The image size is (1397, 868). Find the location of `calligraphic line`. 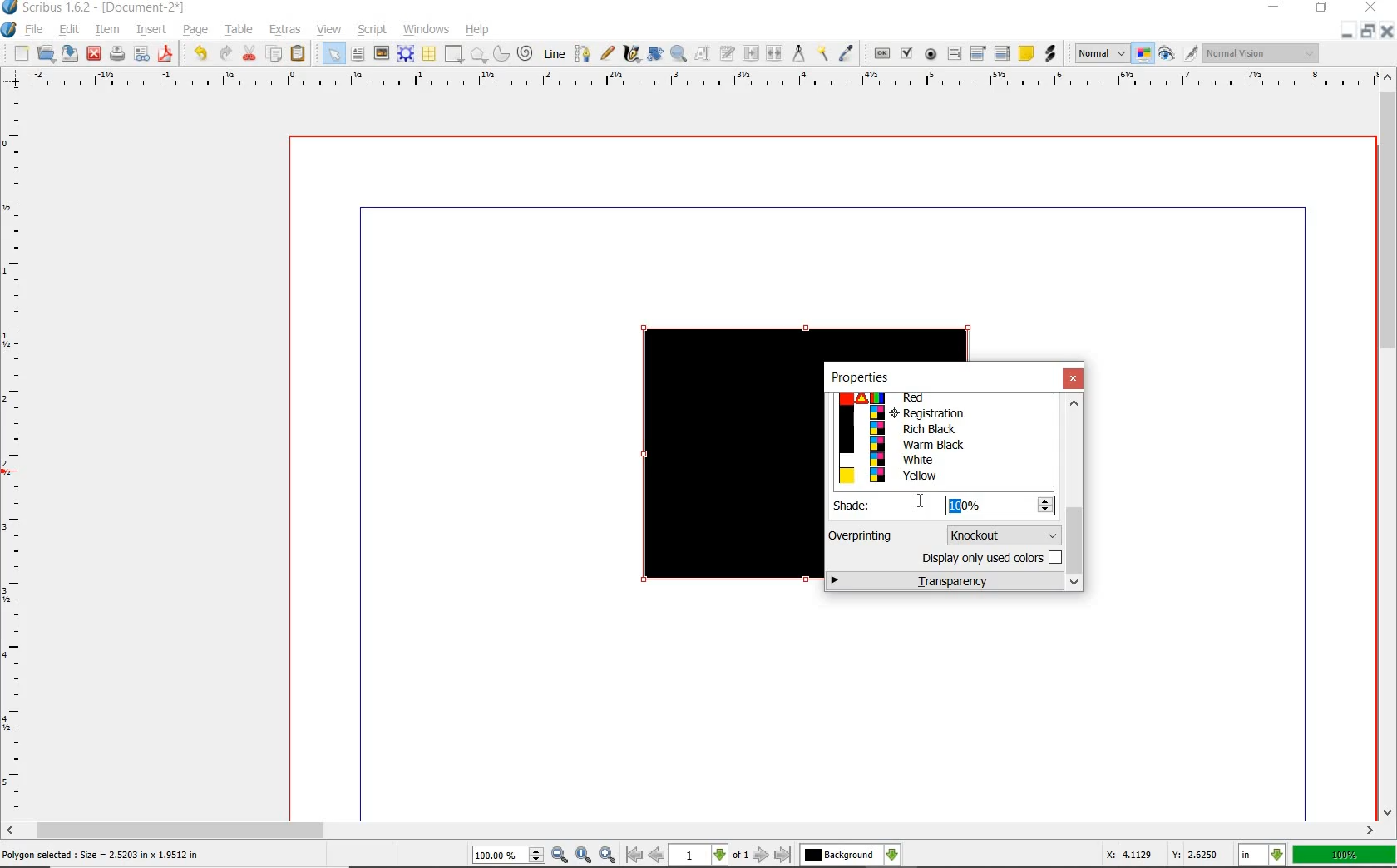

calligraphic line is located at coordinates (631, 54).